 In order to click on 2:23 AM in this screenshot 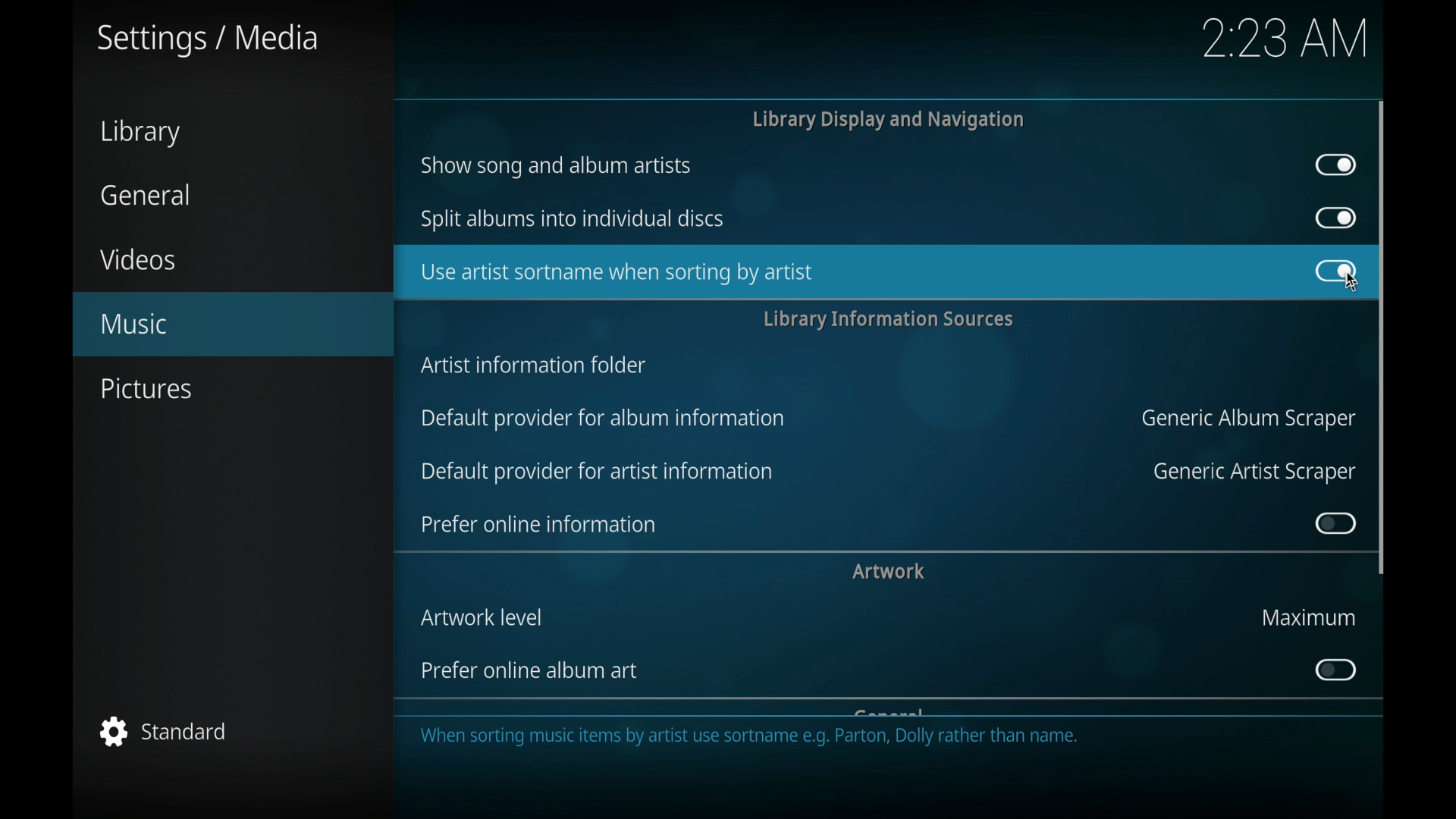, I will do `click(1288, 41)`.